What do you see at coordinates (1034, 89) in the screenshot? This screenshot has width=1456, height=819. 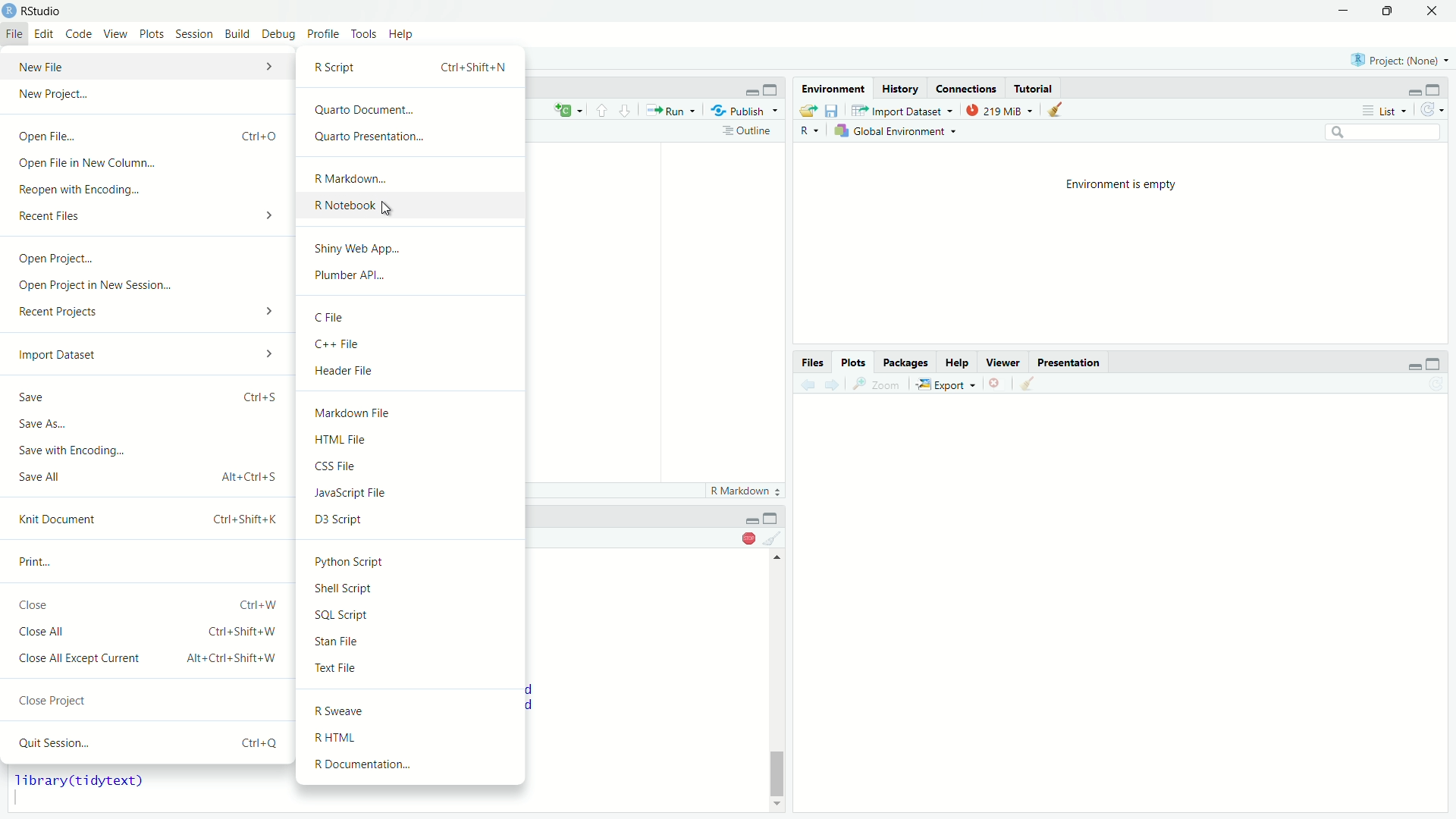 I see `Tutorial` at bounding box center [1034, 89].